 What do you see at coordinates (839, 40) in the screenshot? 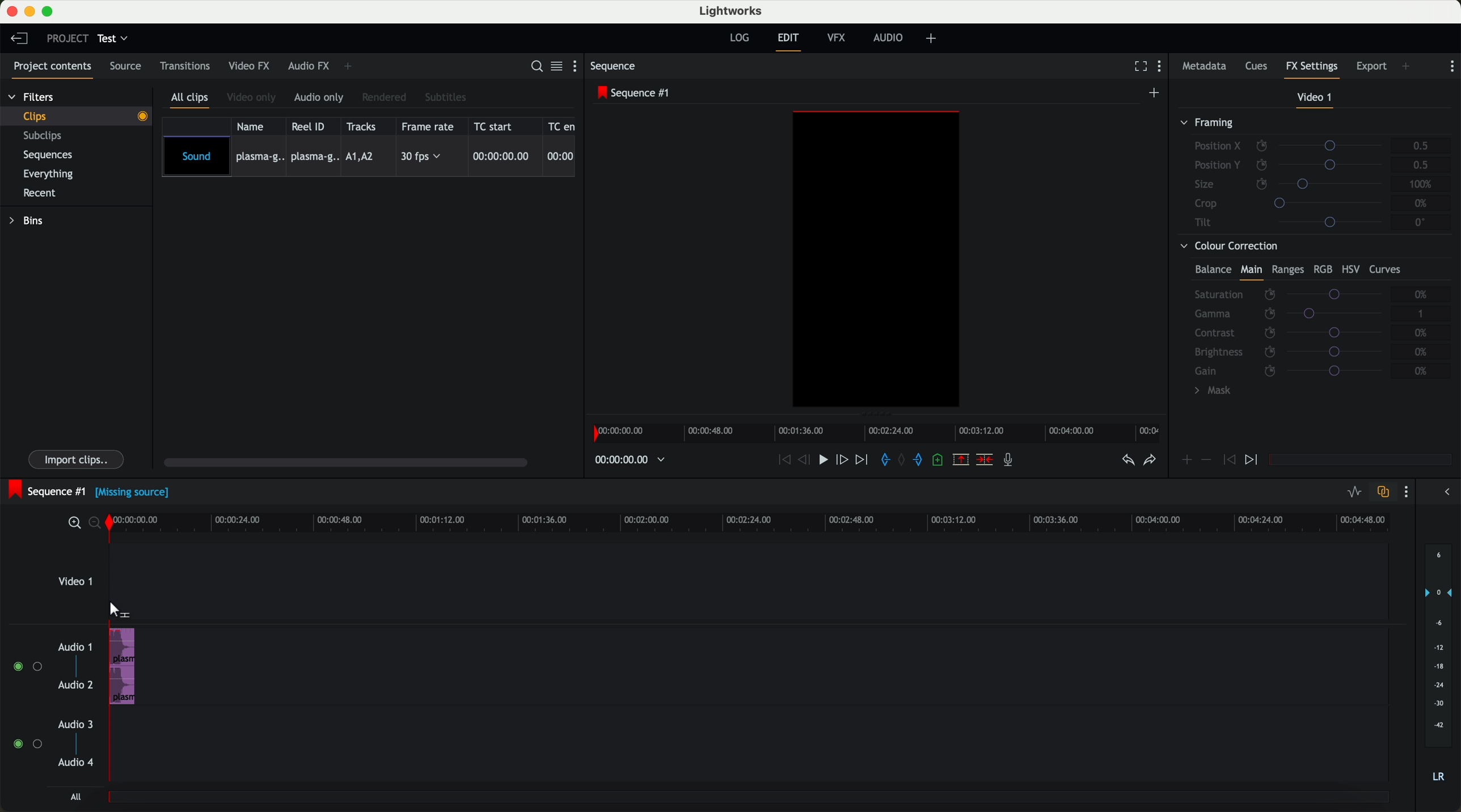
I see `VFX` at bounding box center [839, 40].